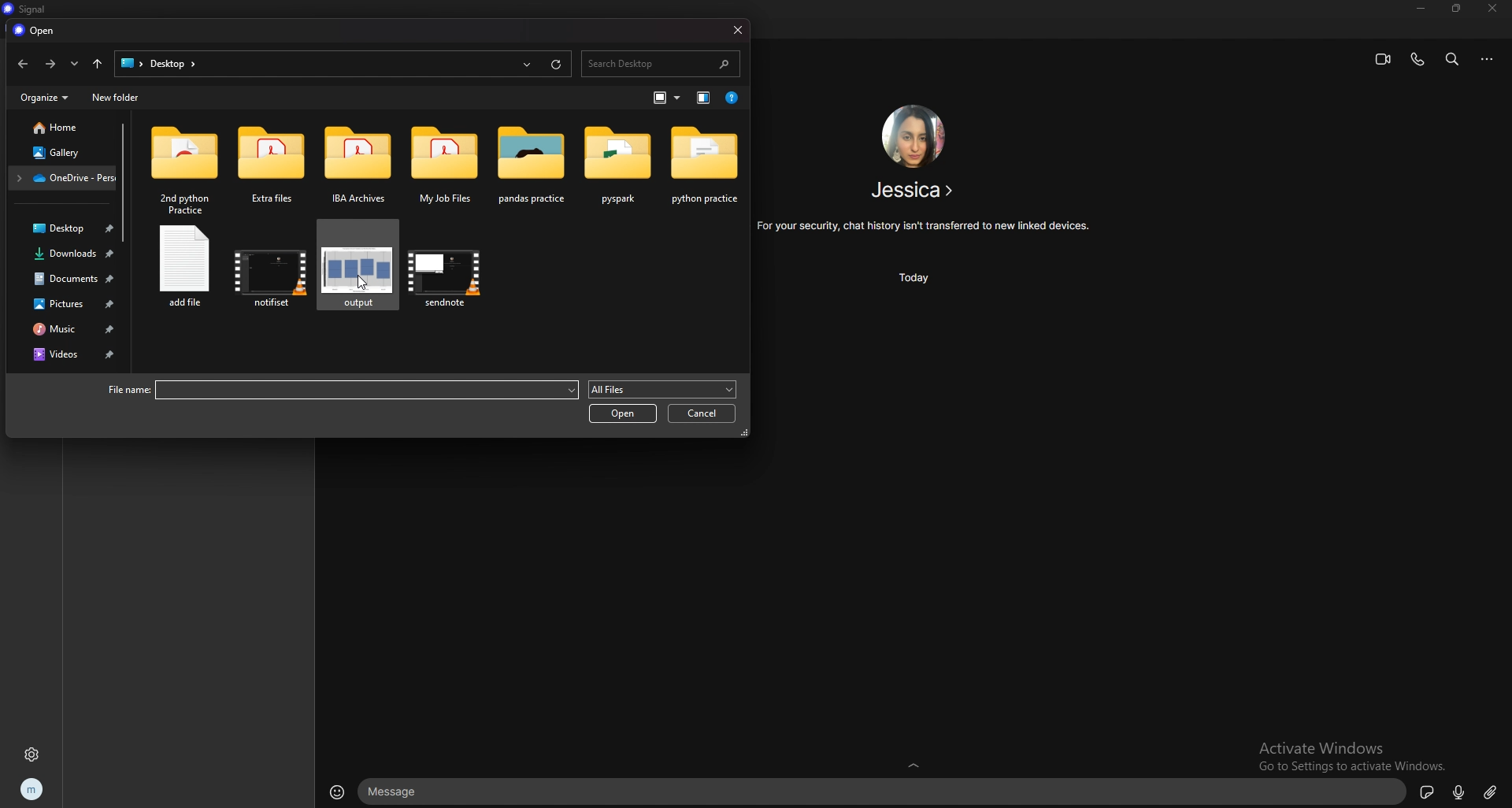  What do you see at coordinates (1417, 60) in the screenshot?
I see `voice call` at bounding box center [1417, 60].